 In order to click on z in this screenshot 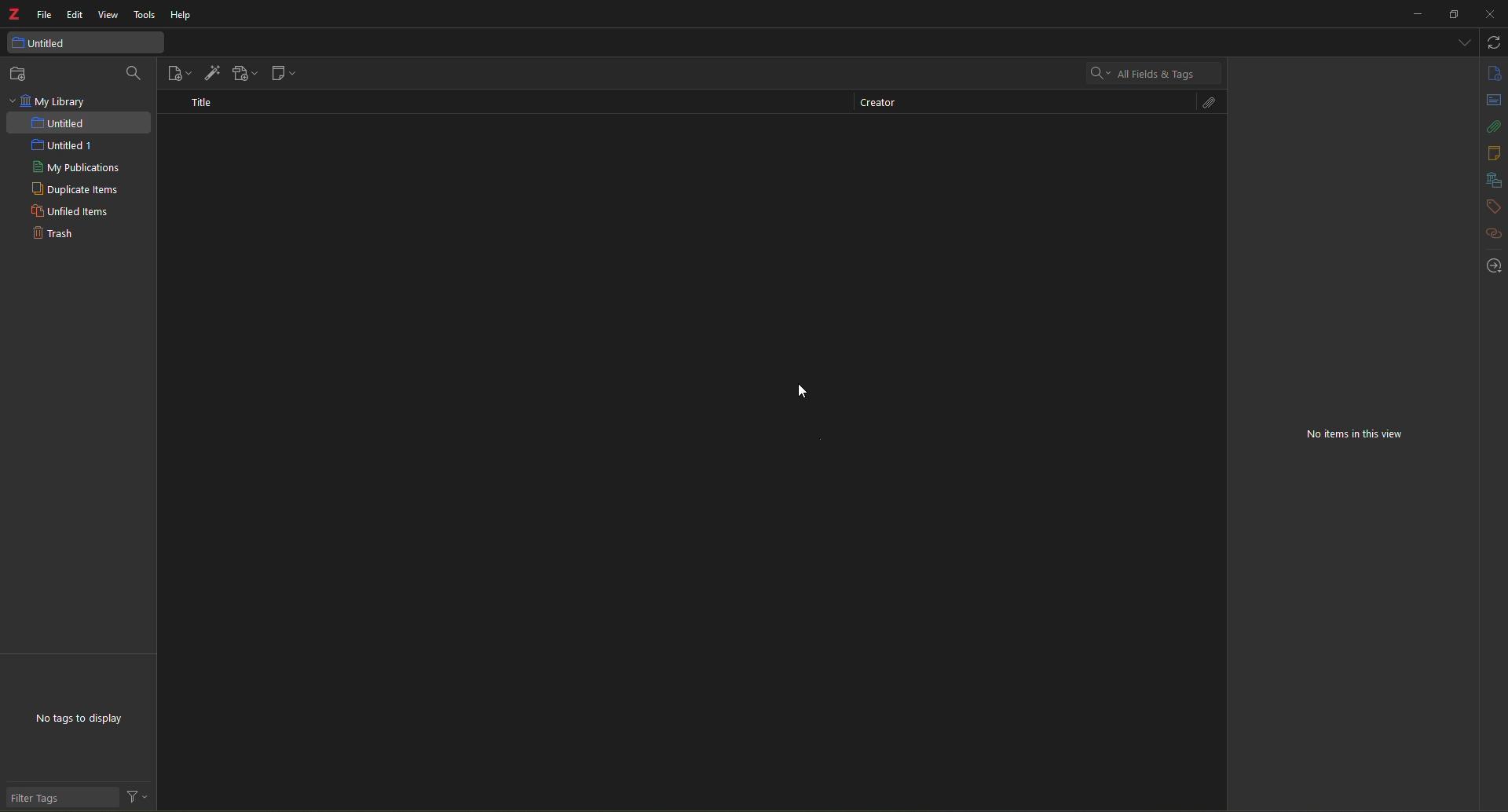, I will do `click(16, 16)`.